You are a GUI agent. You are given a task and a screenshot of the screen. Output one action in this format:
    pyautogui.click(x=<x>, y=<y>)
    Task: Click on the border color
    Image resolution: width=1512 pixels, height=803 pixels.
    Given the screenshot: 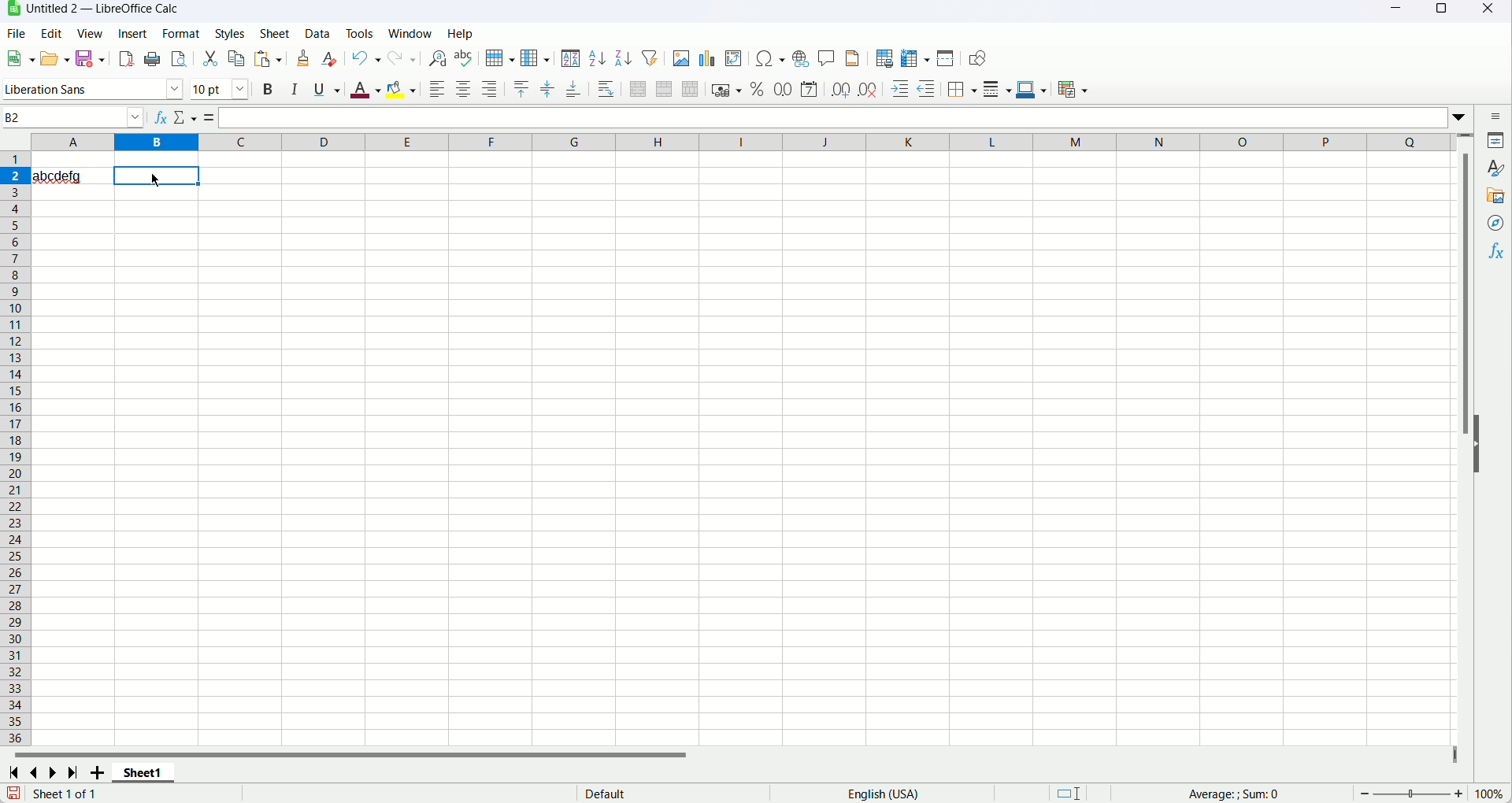 What is the action you would take?
    pyautogui.click(x=1031, y=90)
    